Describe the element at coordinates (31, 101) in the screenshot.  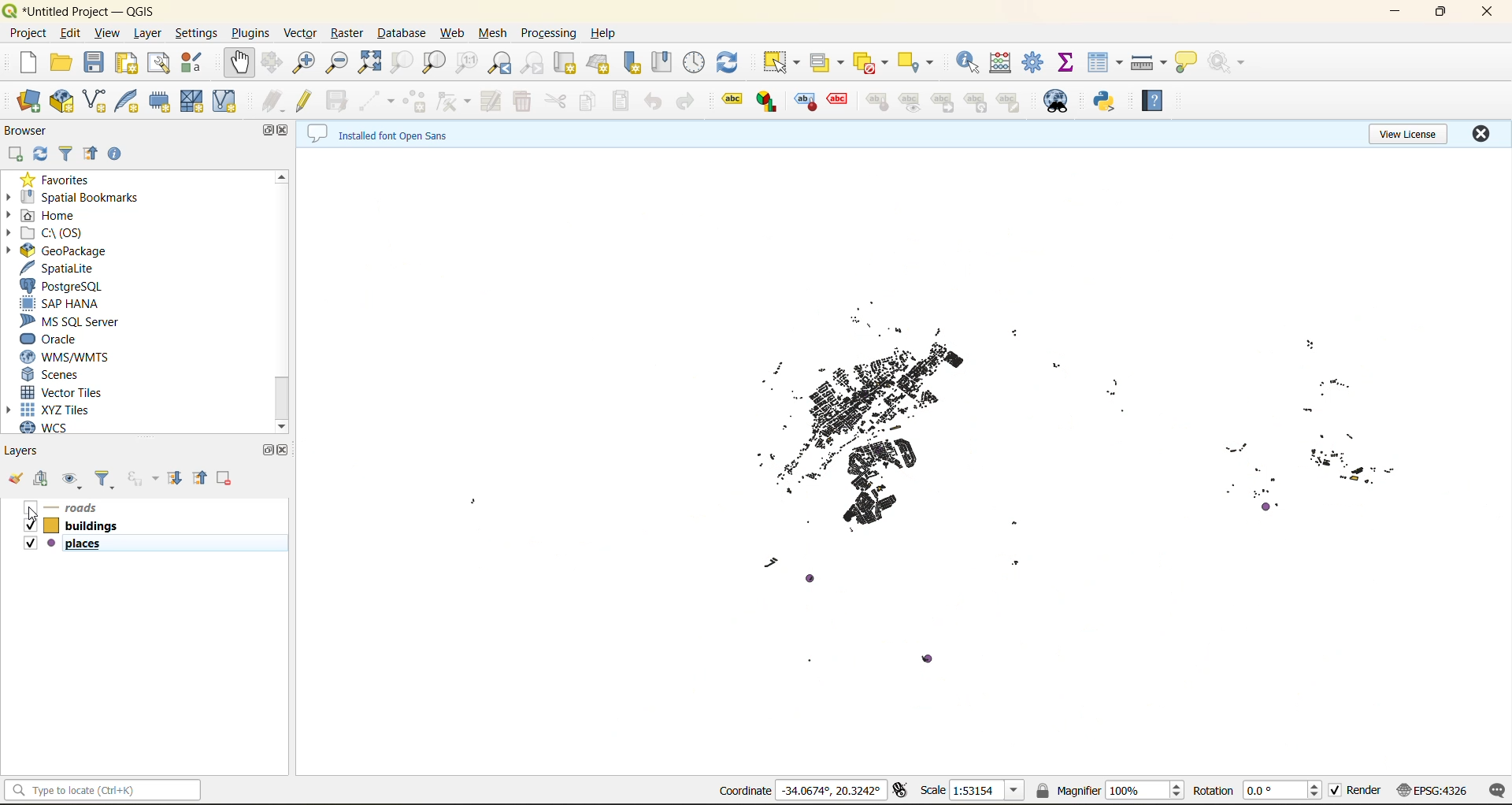
I see `open data source manager` at that location.